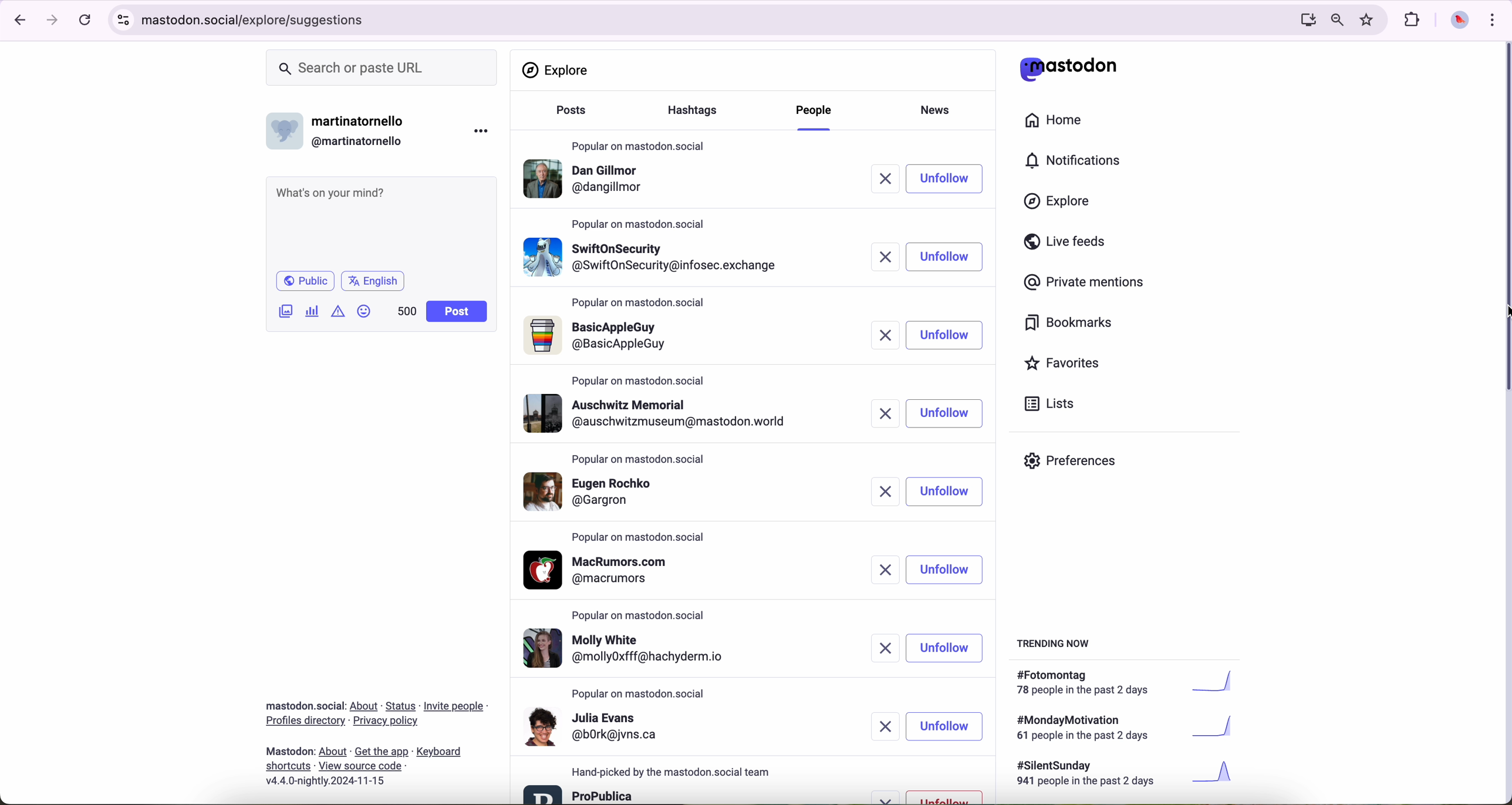 The width and height of the screenshot is (1512, 805). What do you see at coordinates (640, 304) in the screenshot?
I see `popular on mastodon.social` at bounding box center [640, 304].